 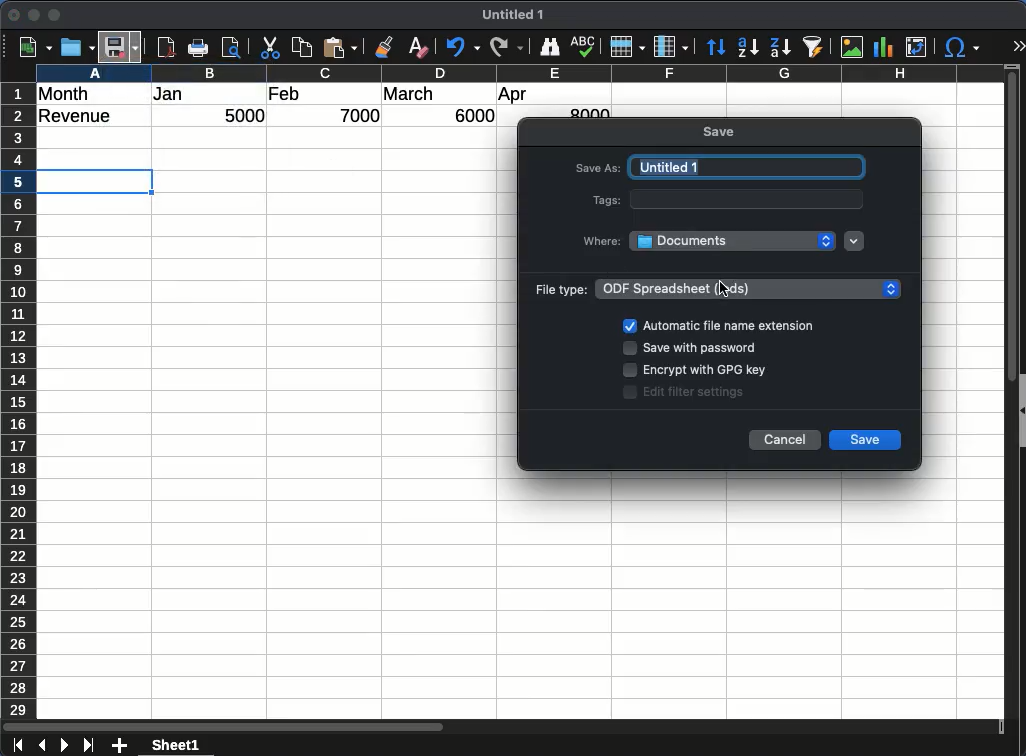 What do you see at coordinates (748, 199) in the screenshot?
I see `text box` at bounding box center [748, 199].